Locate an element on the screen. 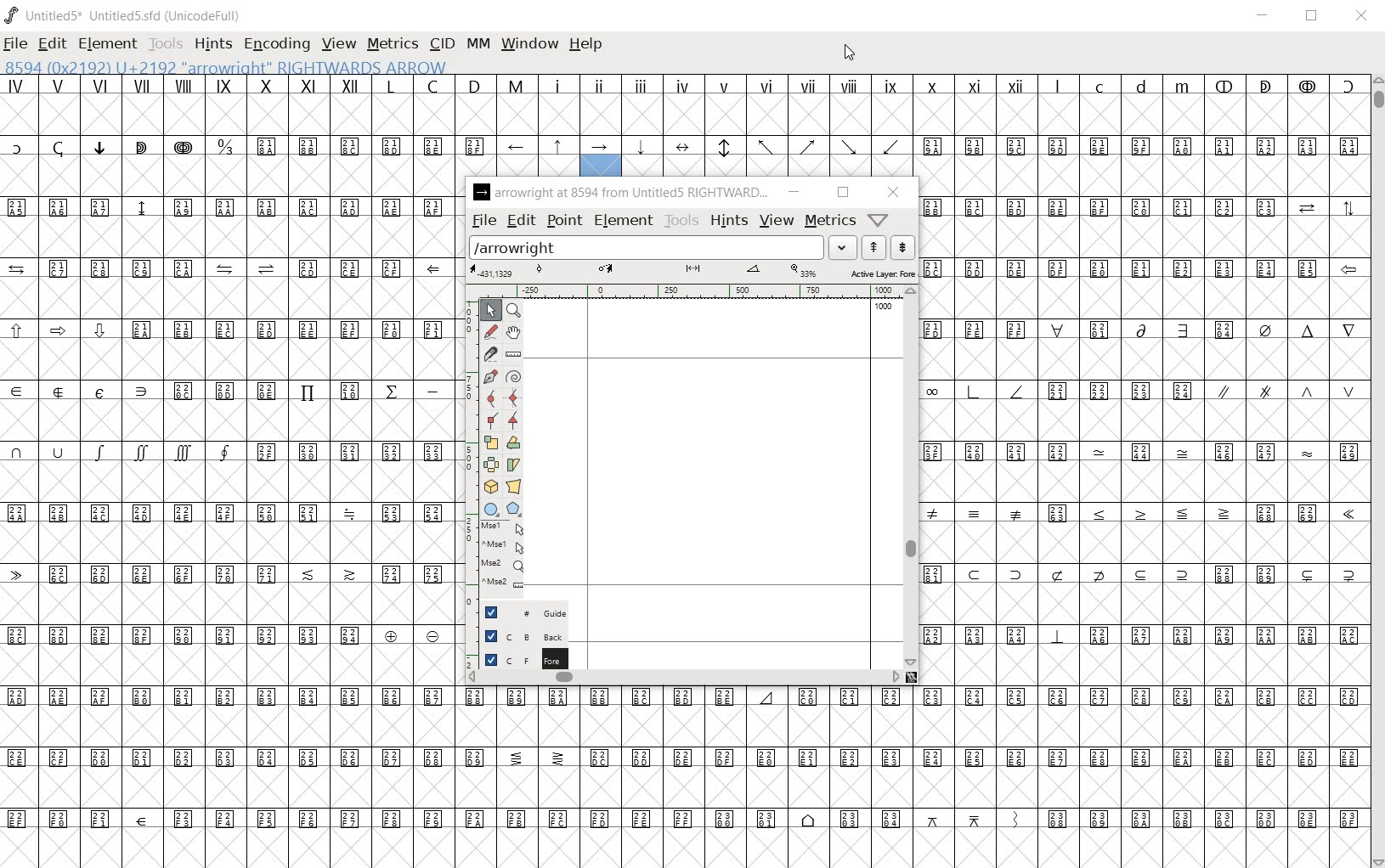  scrollbar is located at coordinates (911, 476).